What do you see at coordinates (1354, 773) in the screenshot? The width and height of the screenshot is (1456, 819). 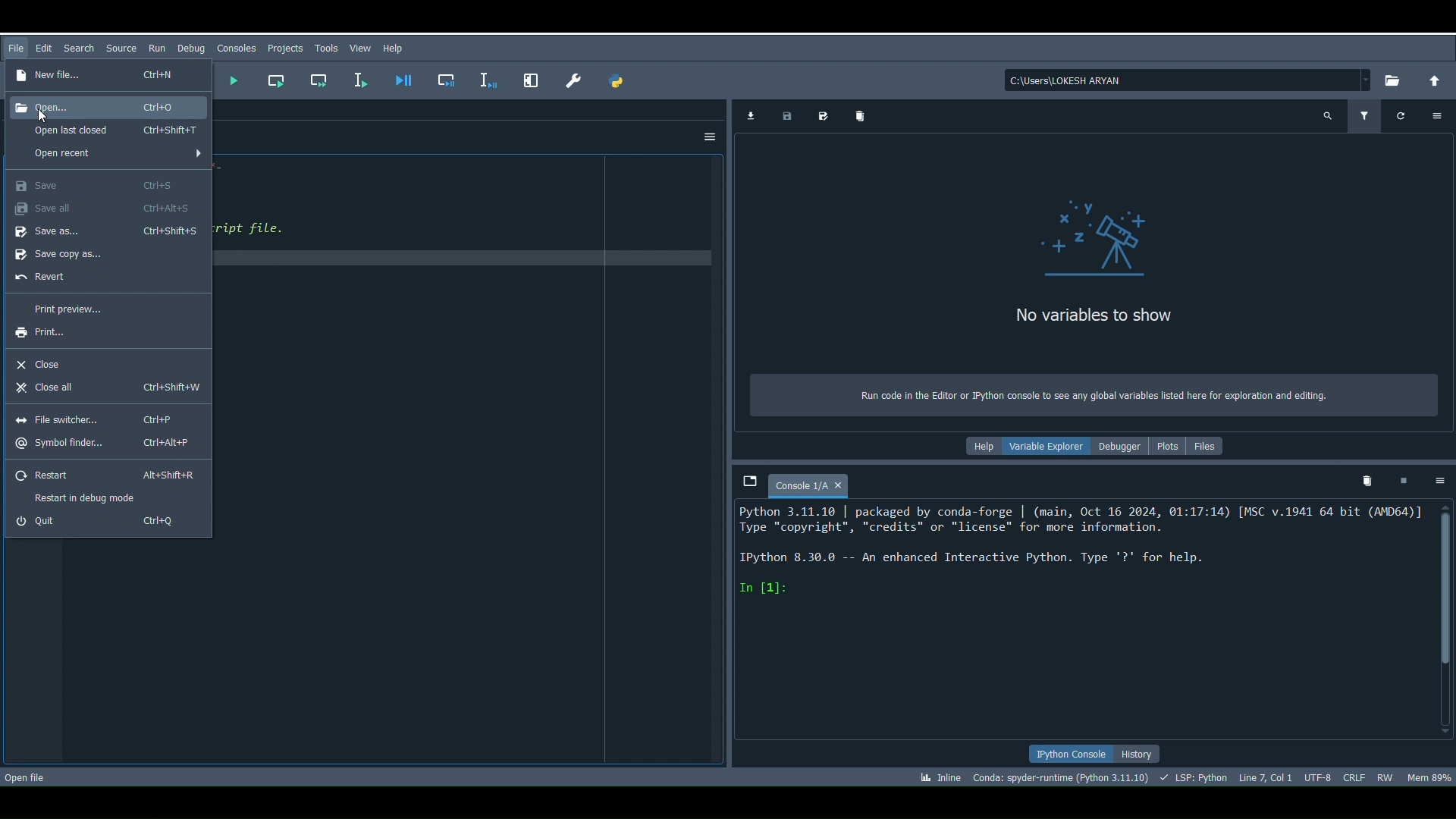 I see `File EOL Status` at bounding box center [1354, 773].